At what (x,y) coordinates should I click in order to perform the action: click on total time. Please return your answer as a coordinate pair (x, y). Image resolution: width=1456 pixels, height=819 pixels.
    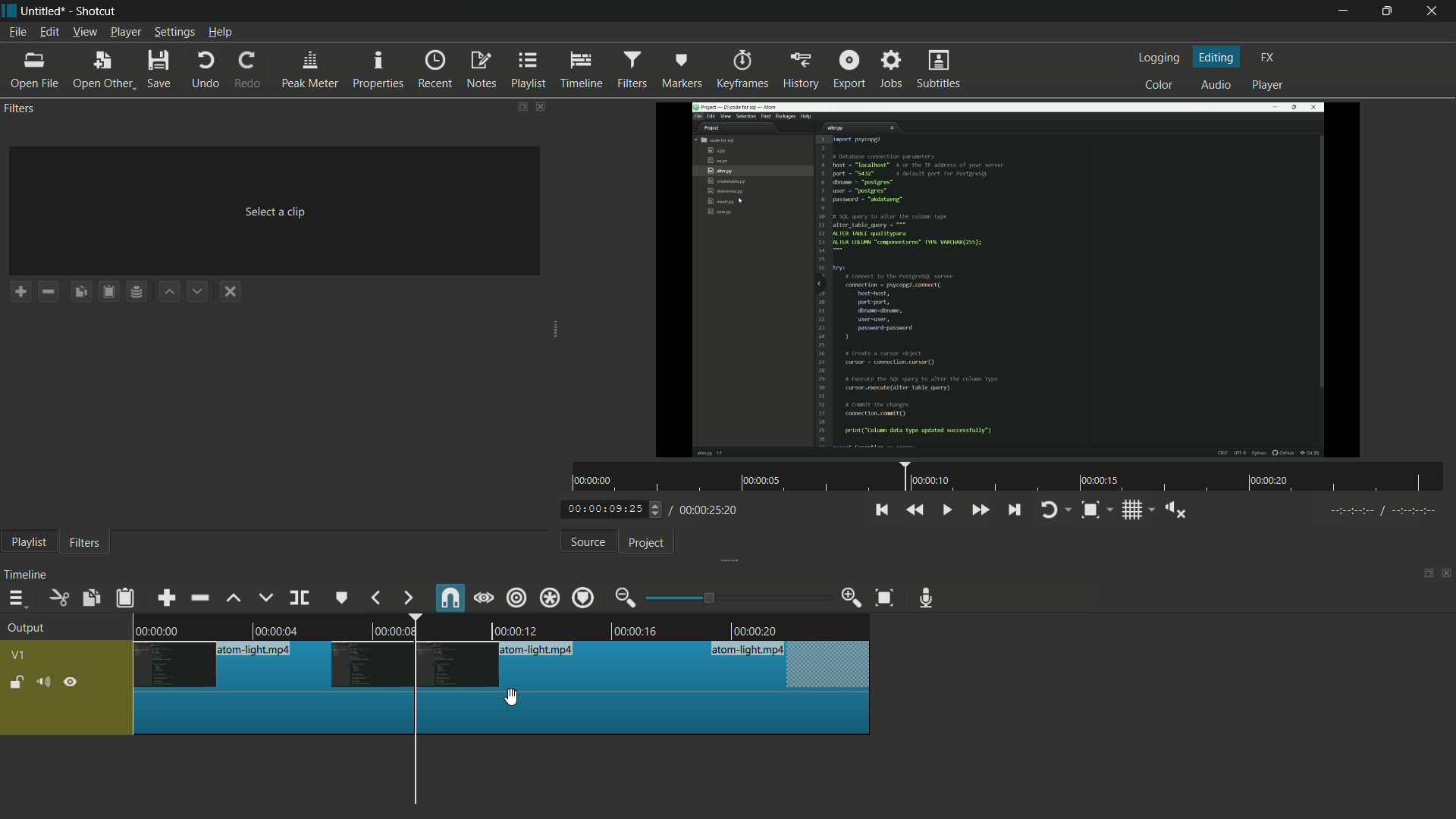
    Looking at the image, I should click on (707, 510).